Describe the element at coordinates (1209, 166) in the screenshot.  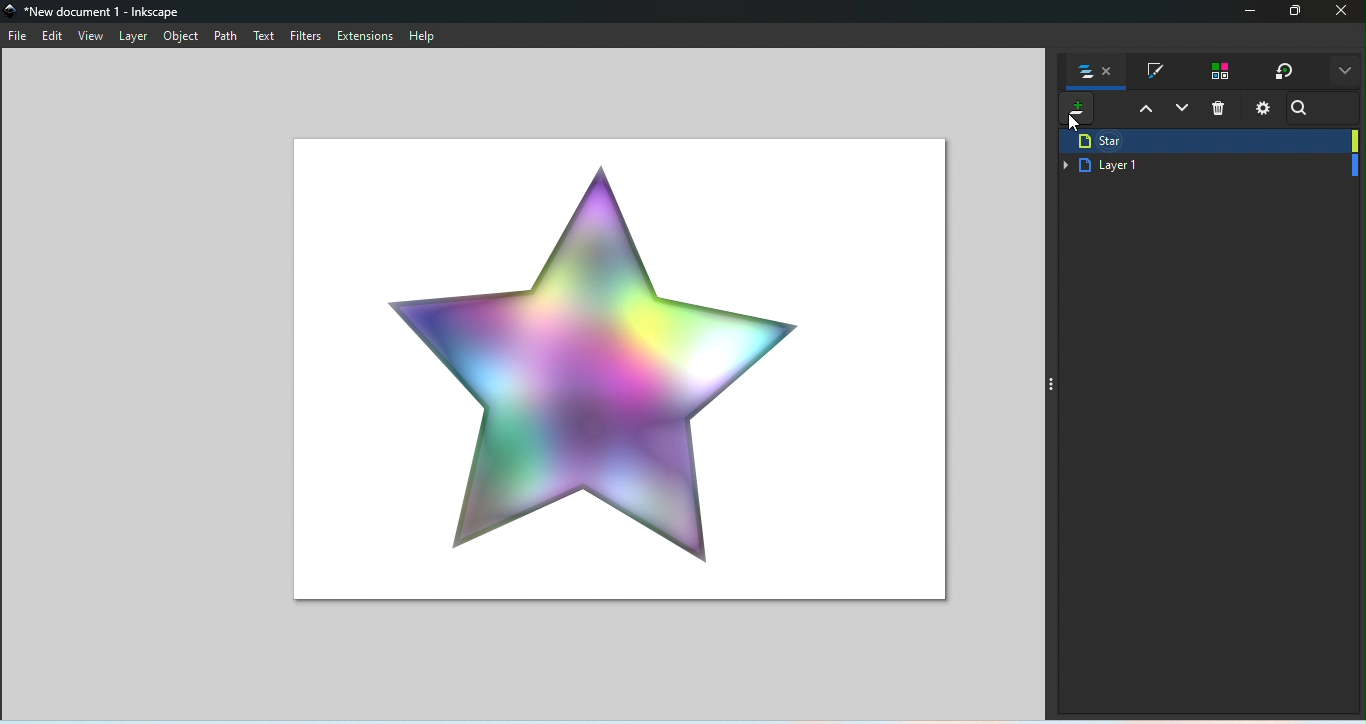
I see `Layer 1` at that location.